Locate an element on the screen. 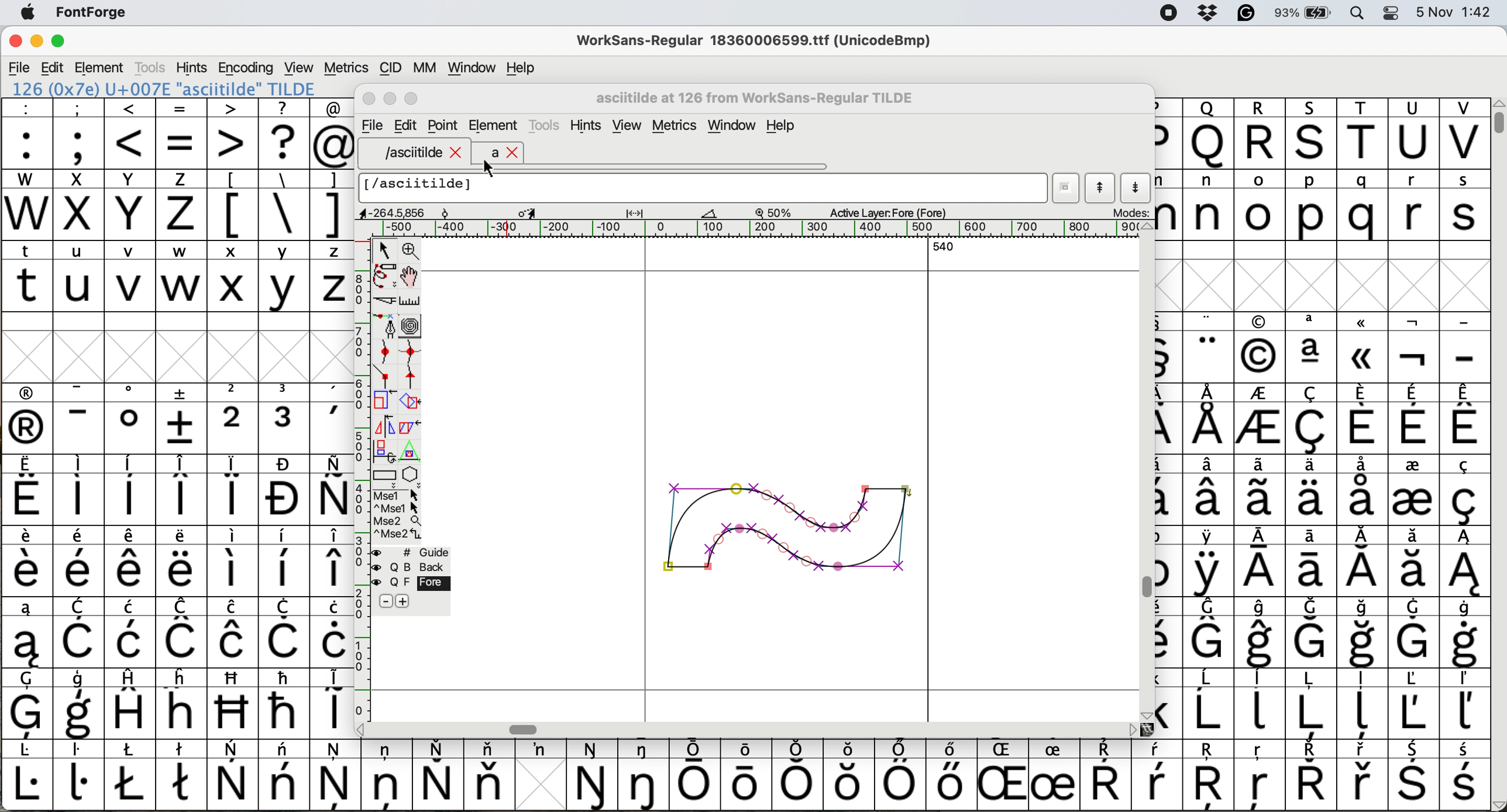 This screenshot has width=1507, height=812.  is located at coordinates (1259, 348).